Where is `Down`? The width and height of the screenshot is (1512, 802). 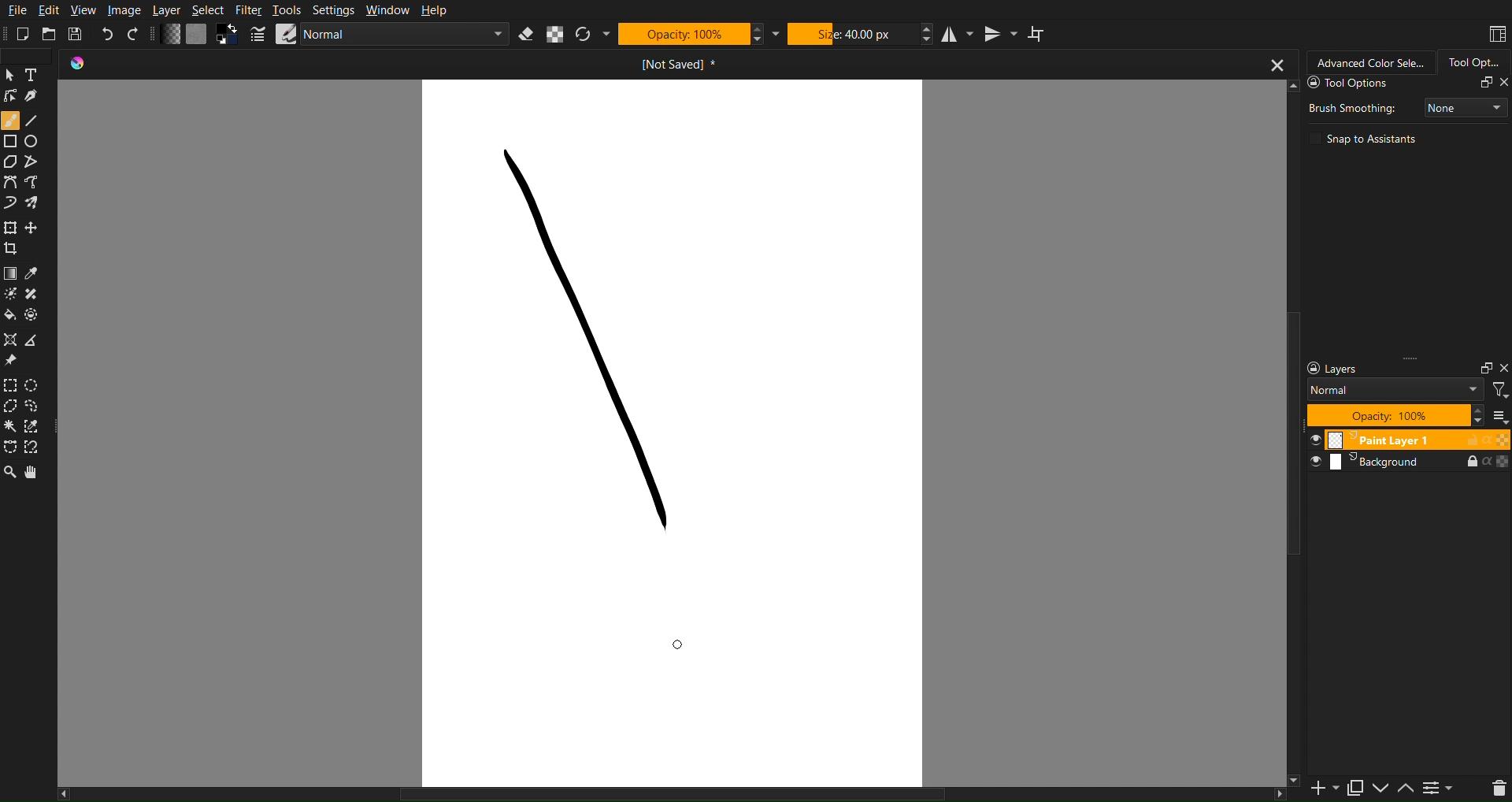
Down is located at coordinates (1384, 789).